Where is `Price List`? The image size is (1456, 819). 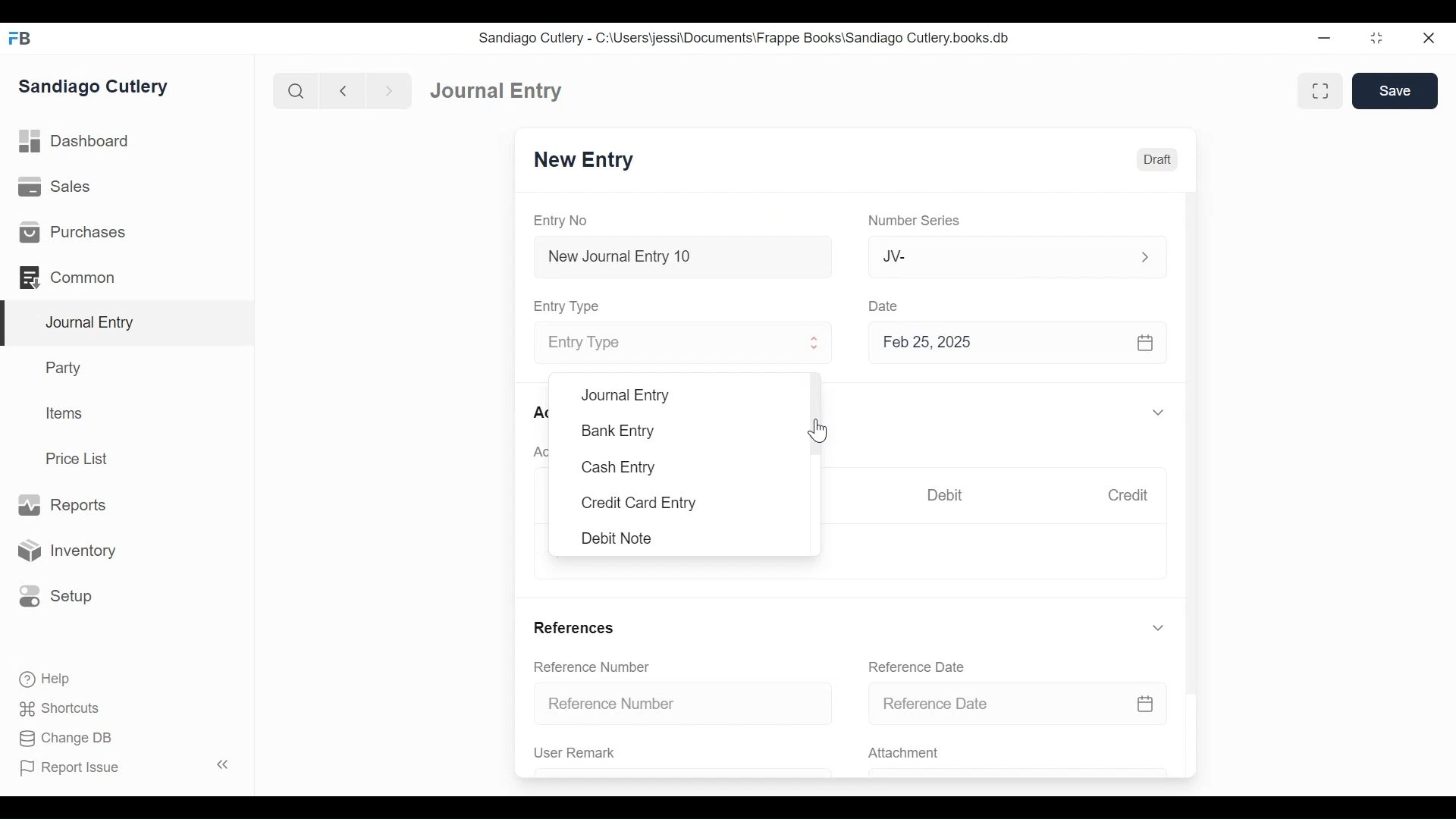
Price List is located at coordinates (80, 458).